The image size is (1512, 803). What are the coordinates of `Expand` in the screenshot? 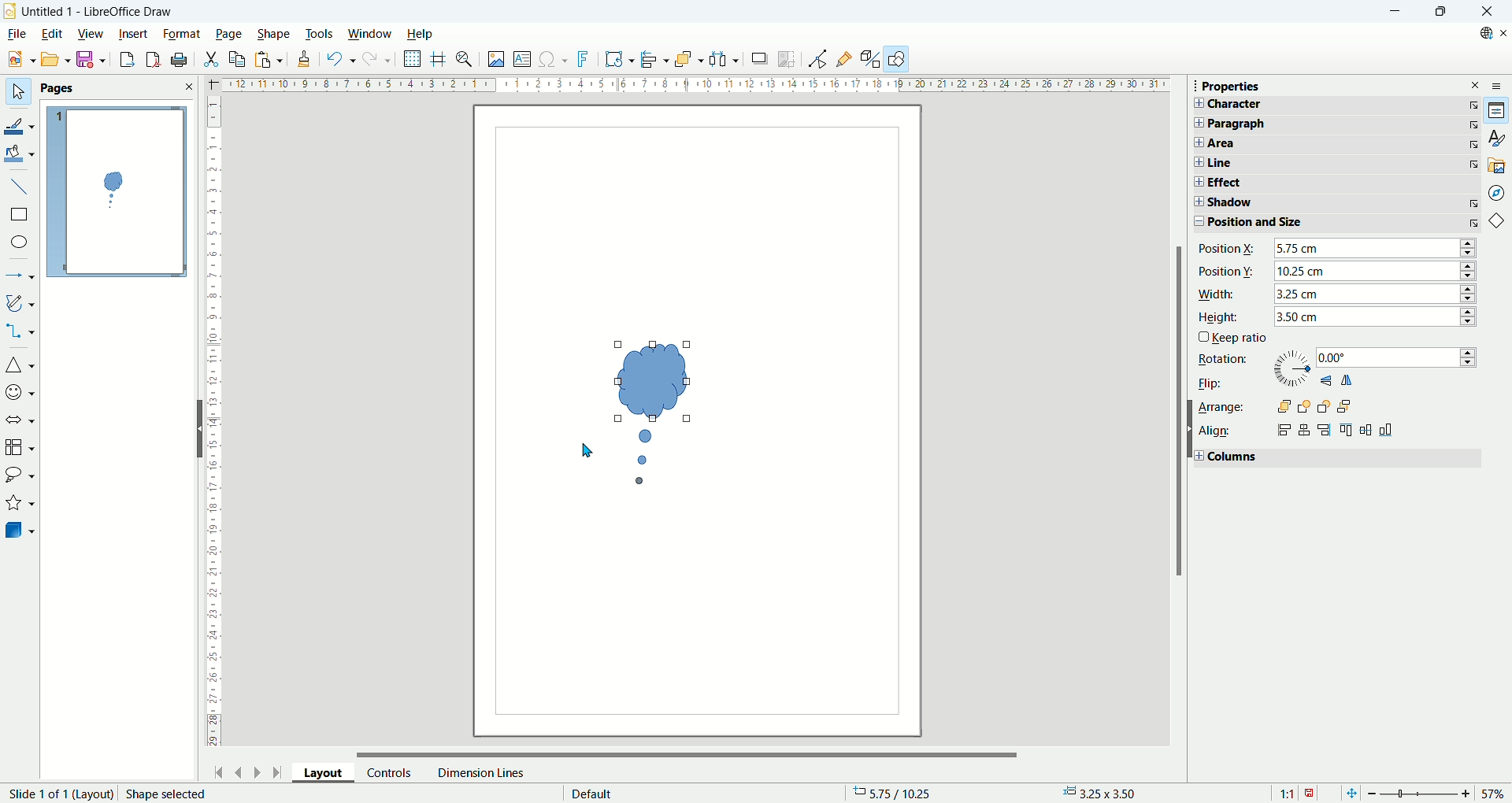 It's located at (1196, 123).